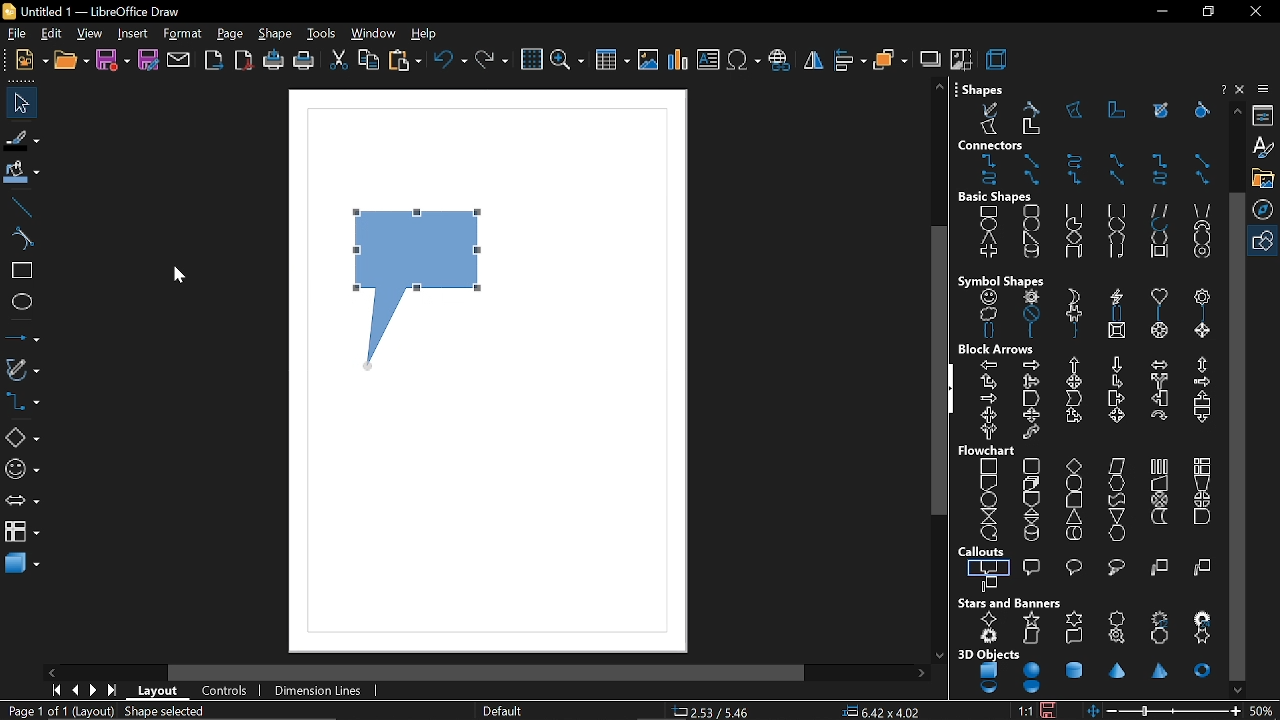  I want to click on ellipse, so click(20, 301).